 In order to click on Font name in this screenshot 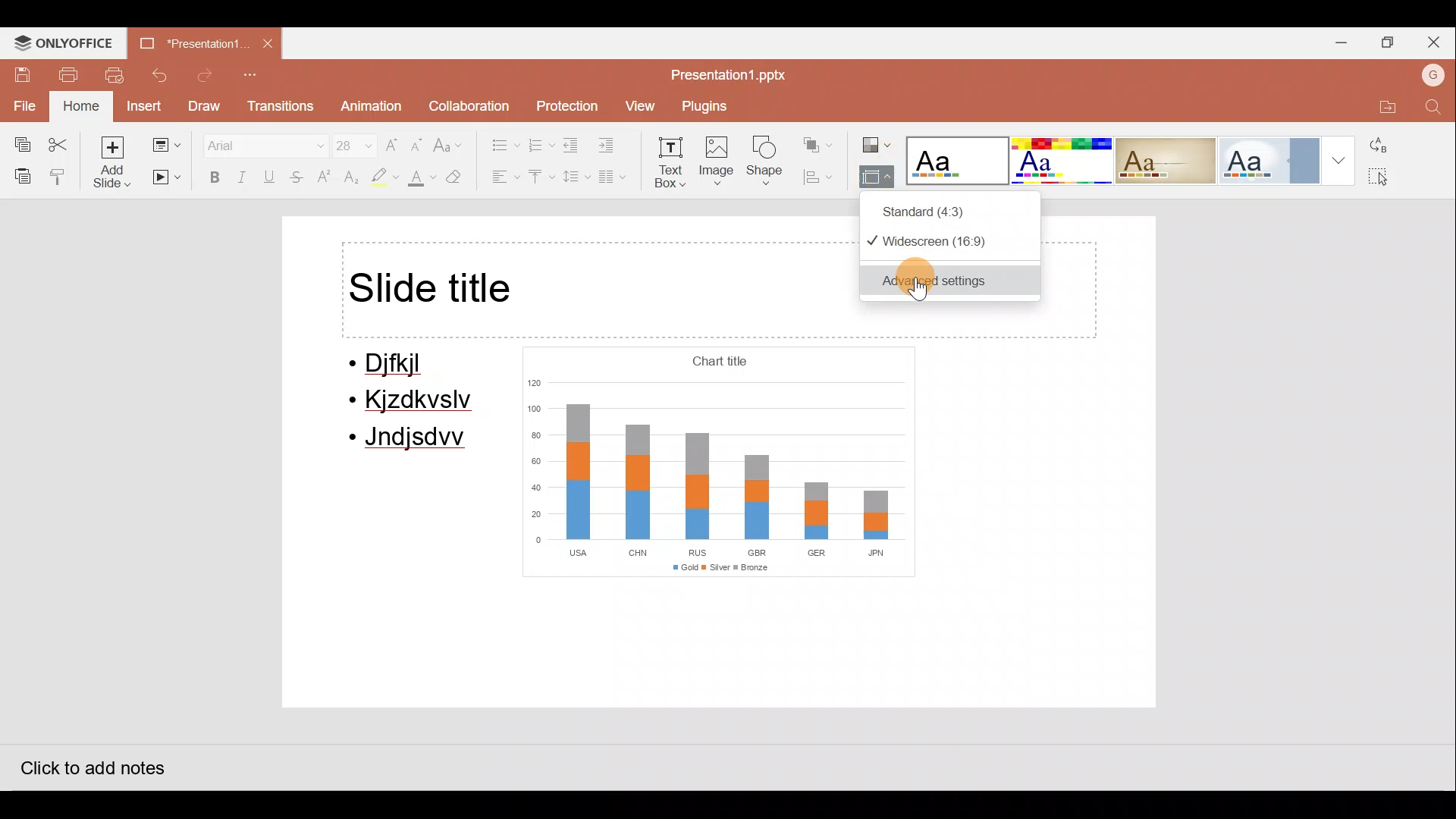, I will do `click(256, 143)`.